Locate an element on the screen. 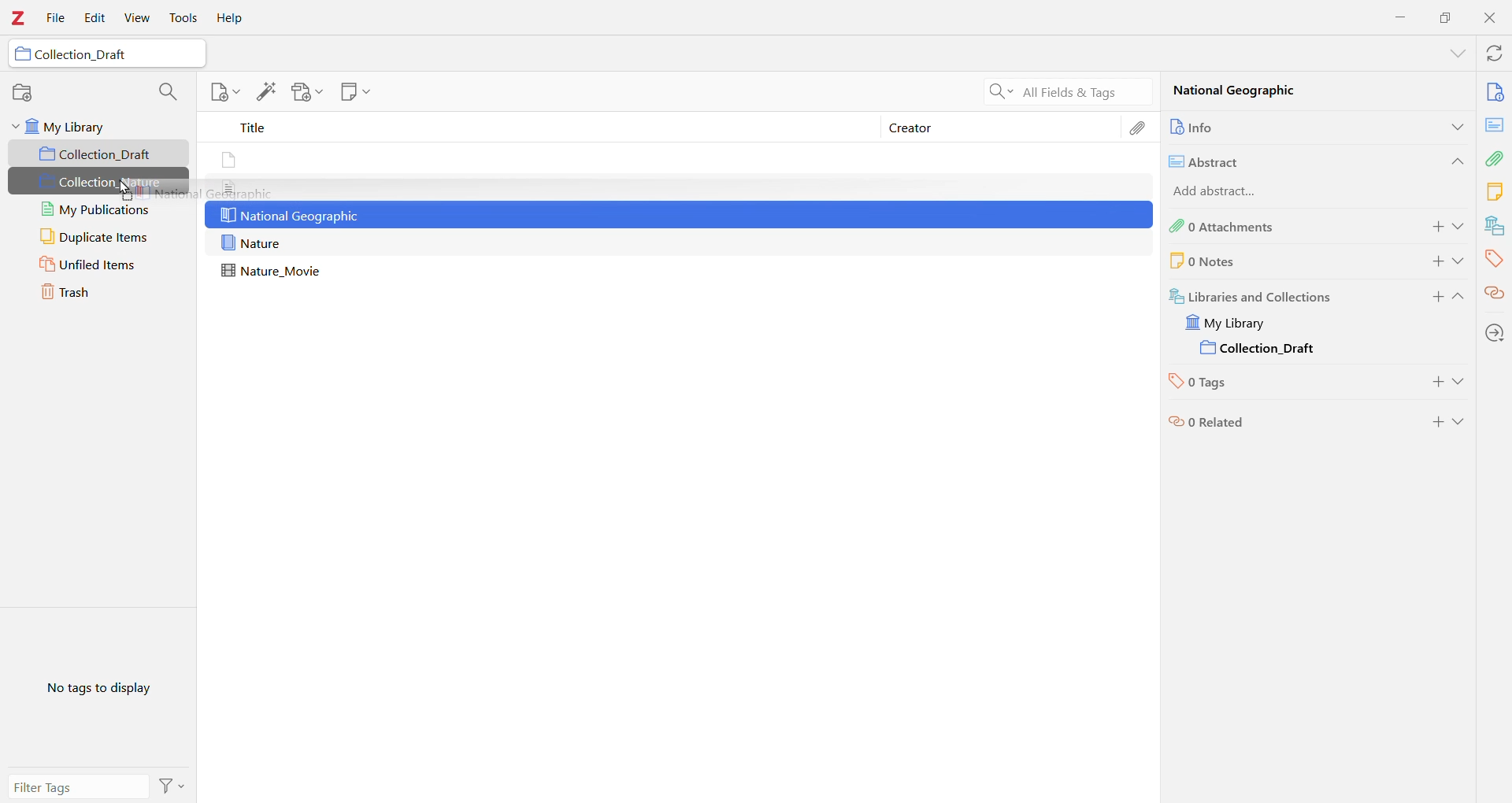 Image resolution: width=1512 pixels, height=803 pixels. Add is located at coordinates (1433, 261).